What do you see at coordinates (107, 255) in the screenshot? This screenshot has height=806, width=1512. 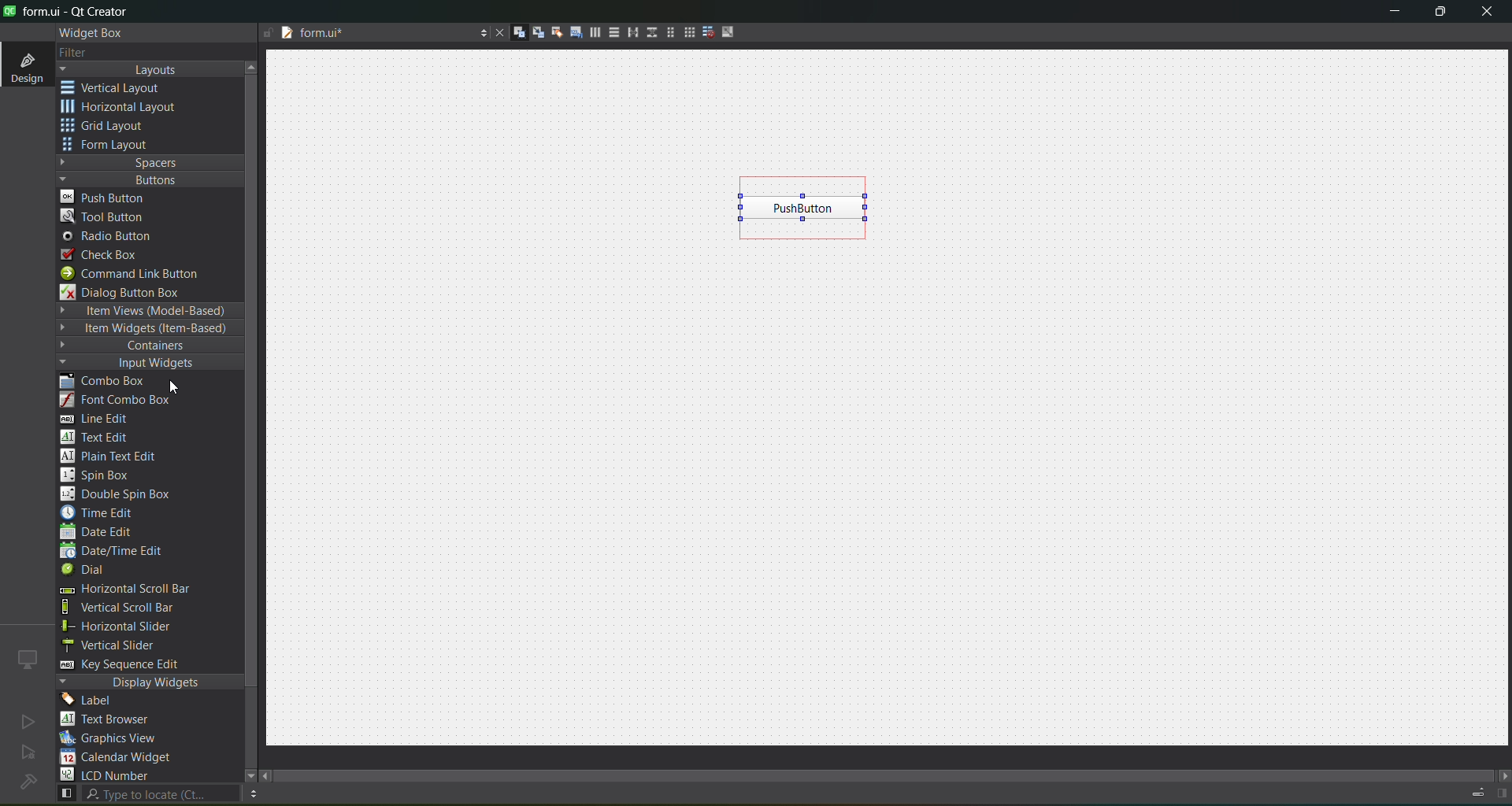 I see `check box` at bounding box center [107, 255].